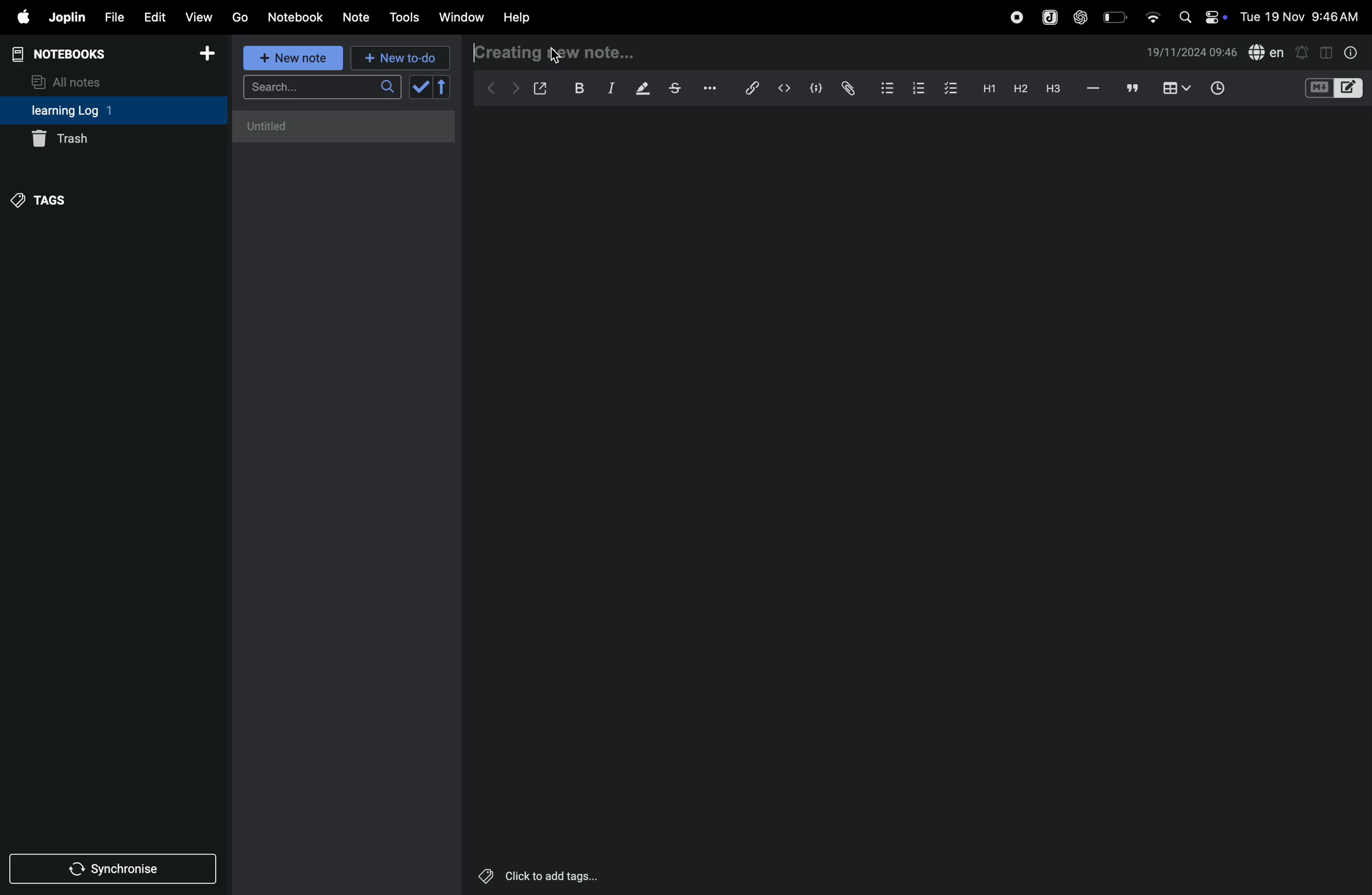 The height and width of the screenshot is (895, 1372). I want to click on hyper link, so click(751, 88).